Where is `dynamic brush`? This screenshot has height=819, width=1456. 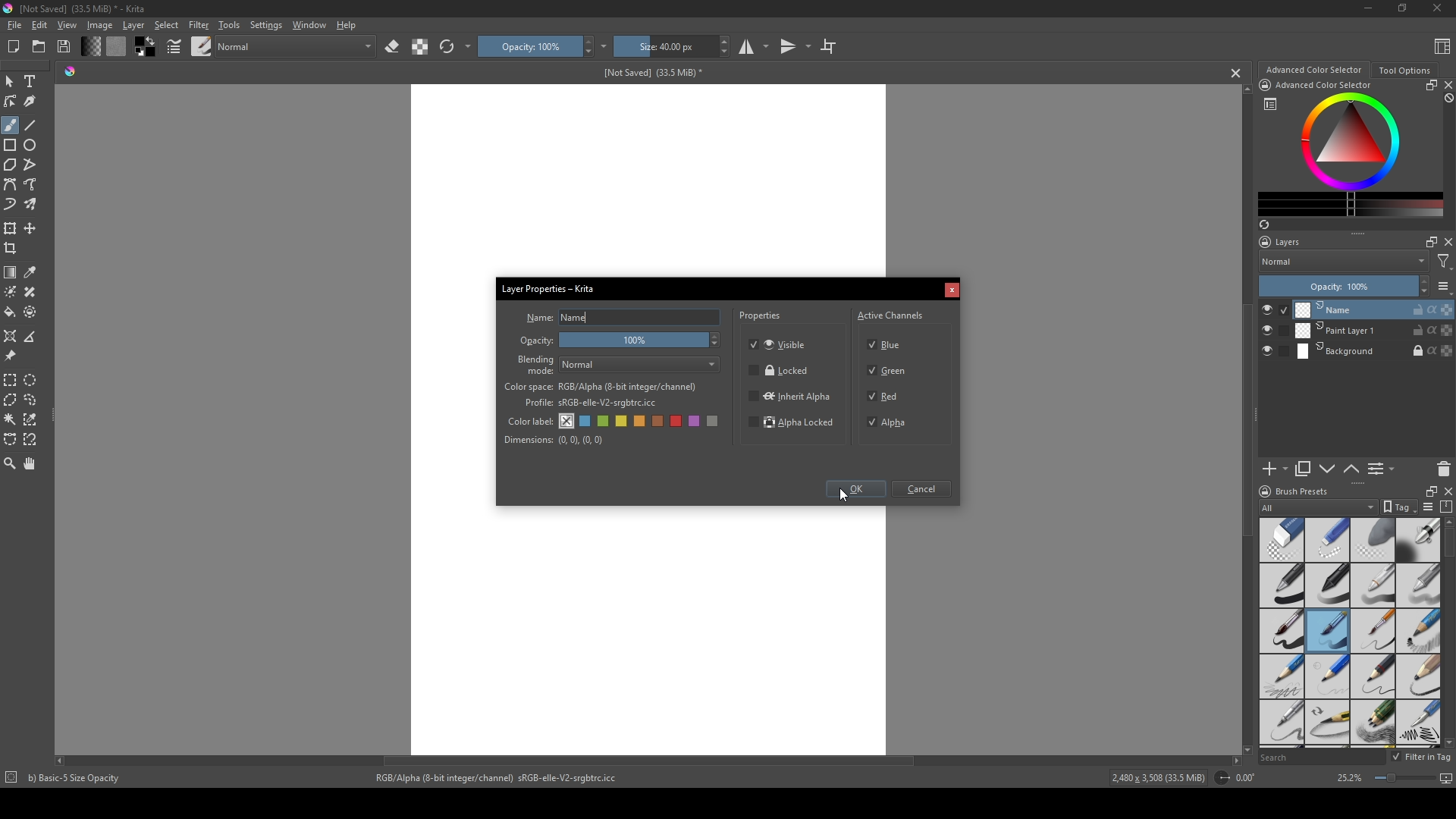 dynamic brush is located at coordinates (11, 206).